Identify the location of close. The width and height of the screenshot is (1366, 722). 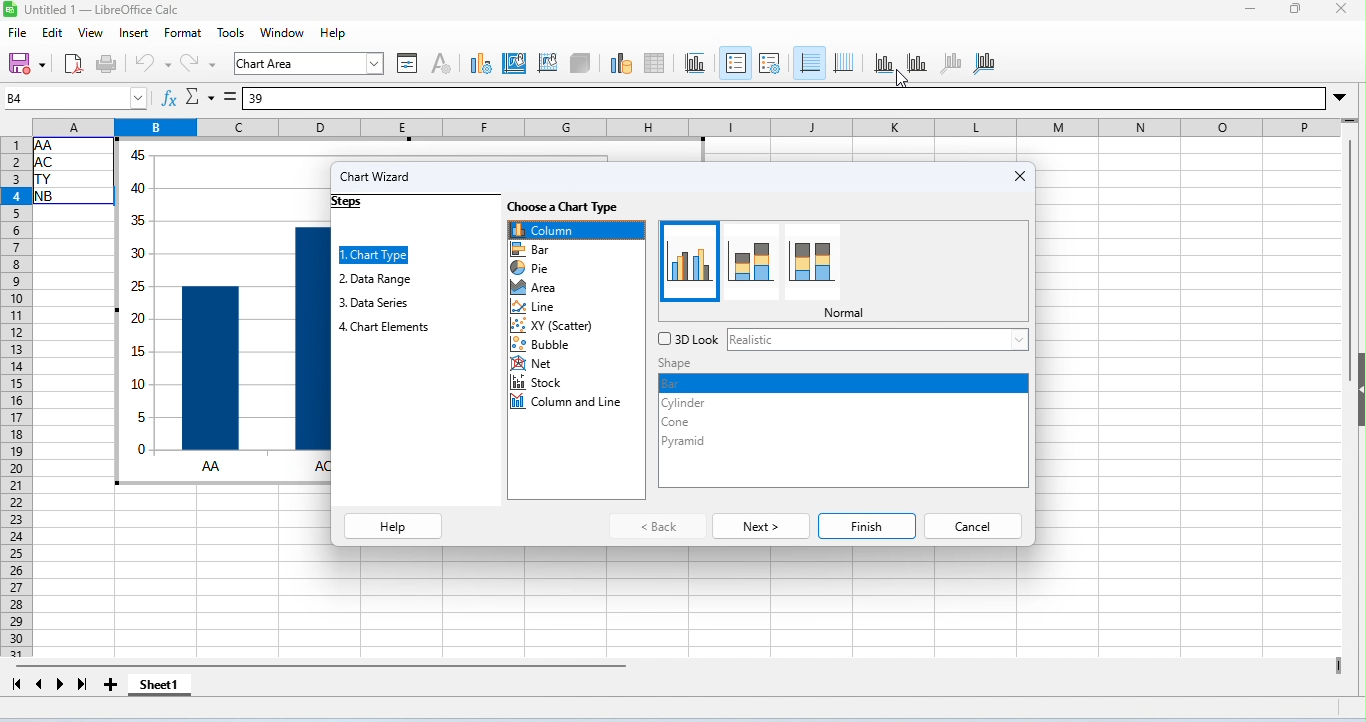
(1339, 9).